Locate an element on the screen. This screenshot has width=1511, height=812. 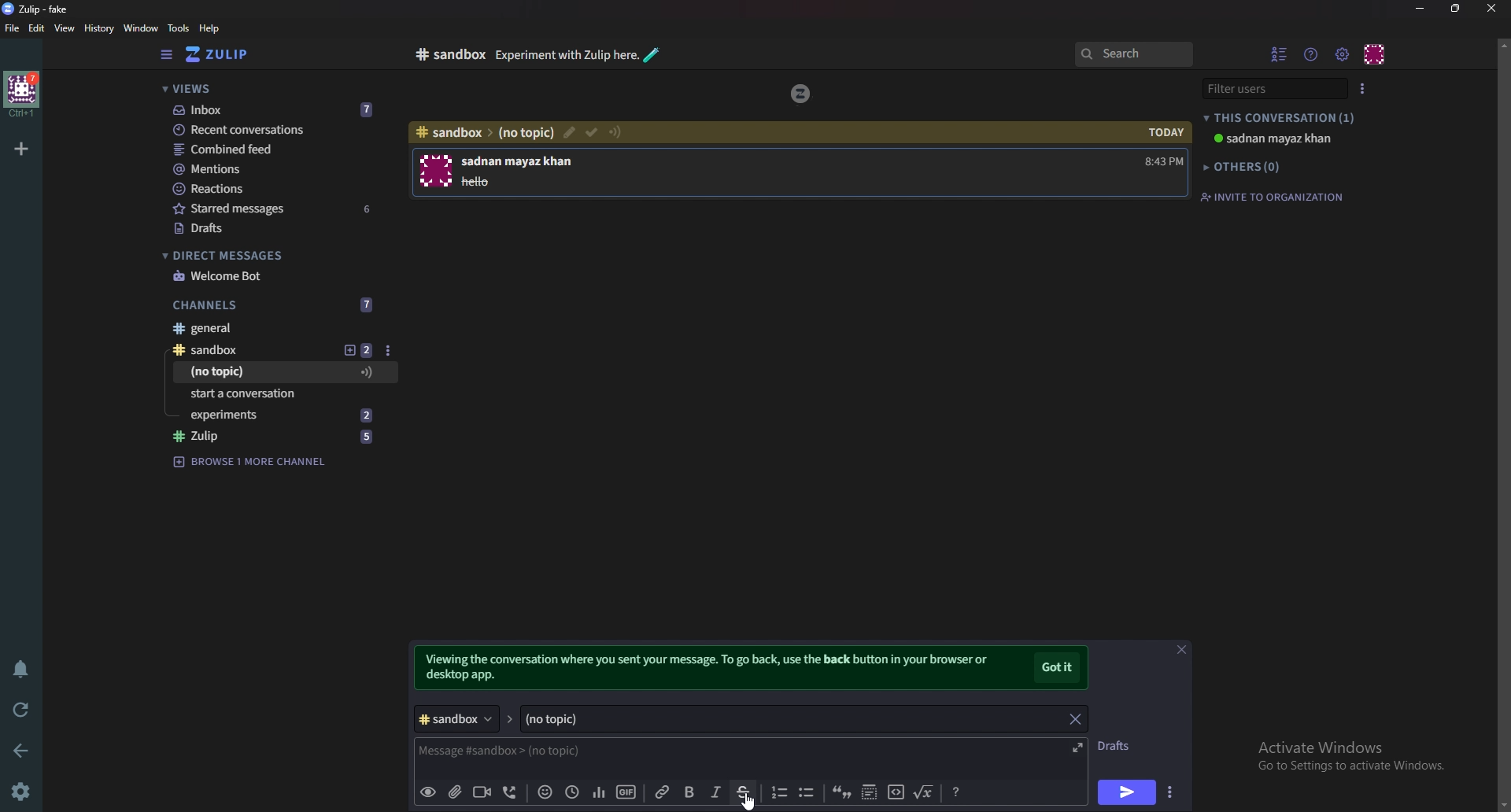
Start a conversation is located at coordinates (278, 393).